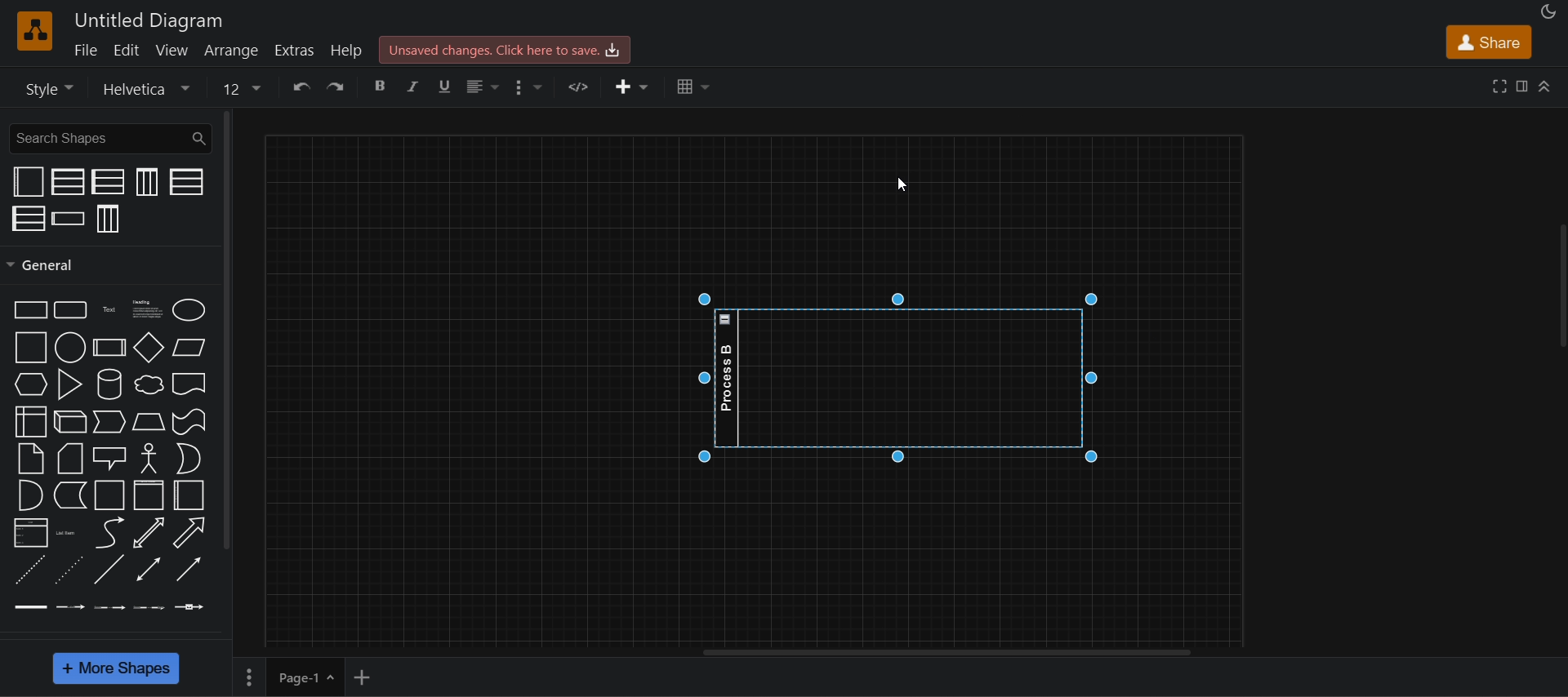 Image resolution: width=1568 pixels, height=697 pixels. I want to click on note, so click(32, 458).